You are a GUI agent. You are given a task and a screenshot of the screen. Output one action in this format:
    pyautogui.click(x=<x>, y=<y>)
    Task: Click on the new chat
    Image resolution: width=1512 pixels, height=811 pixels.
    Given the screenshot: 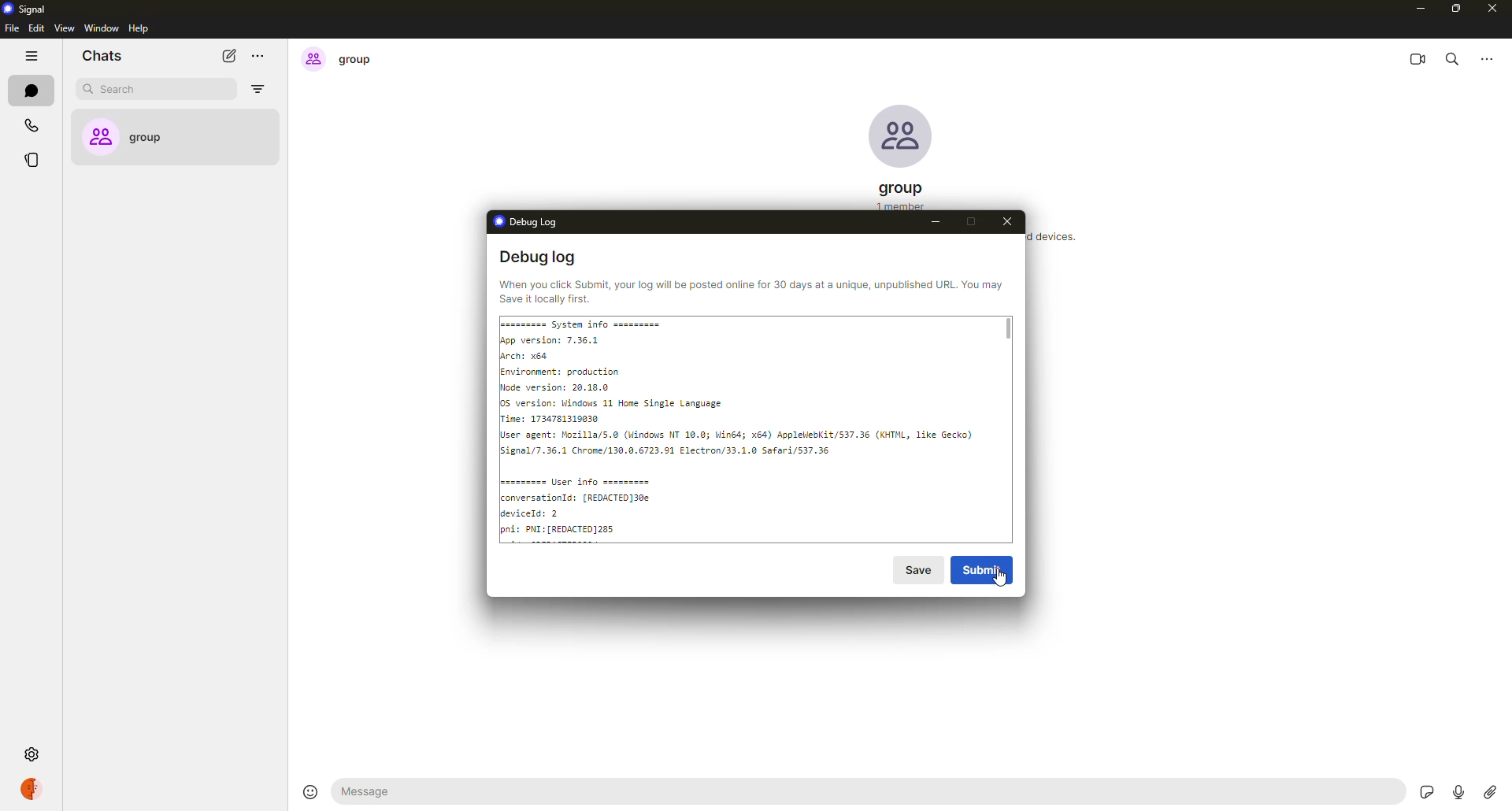 What is the action you would take?
    pyautogui.click(x=229, y=55)
    